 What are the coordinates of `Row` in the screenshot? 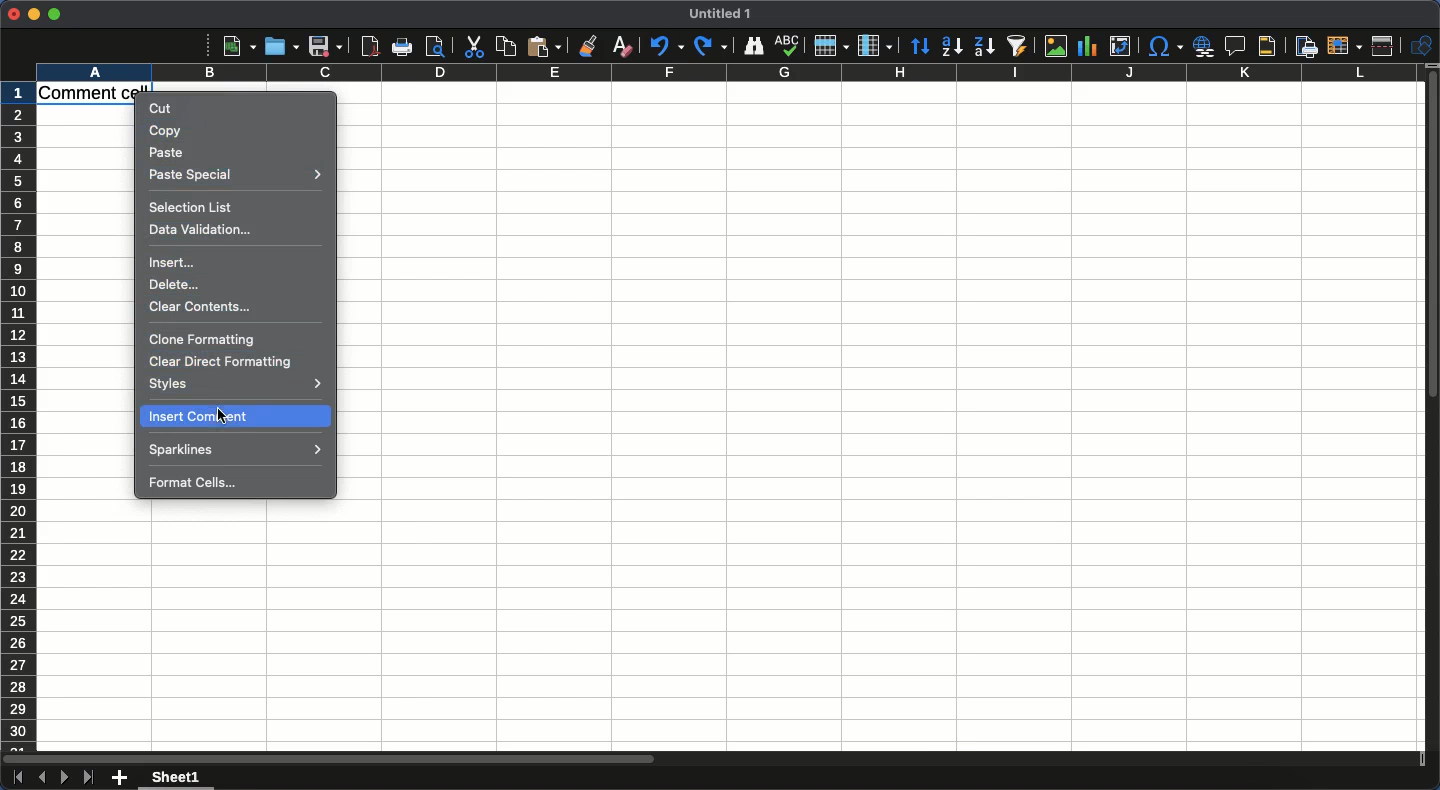 It's located at (830, 46).